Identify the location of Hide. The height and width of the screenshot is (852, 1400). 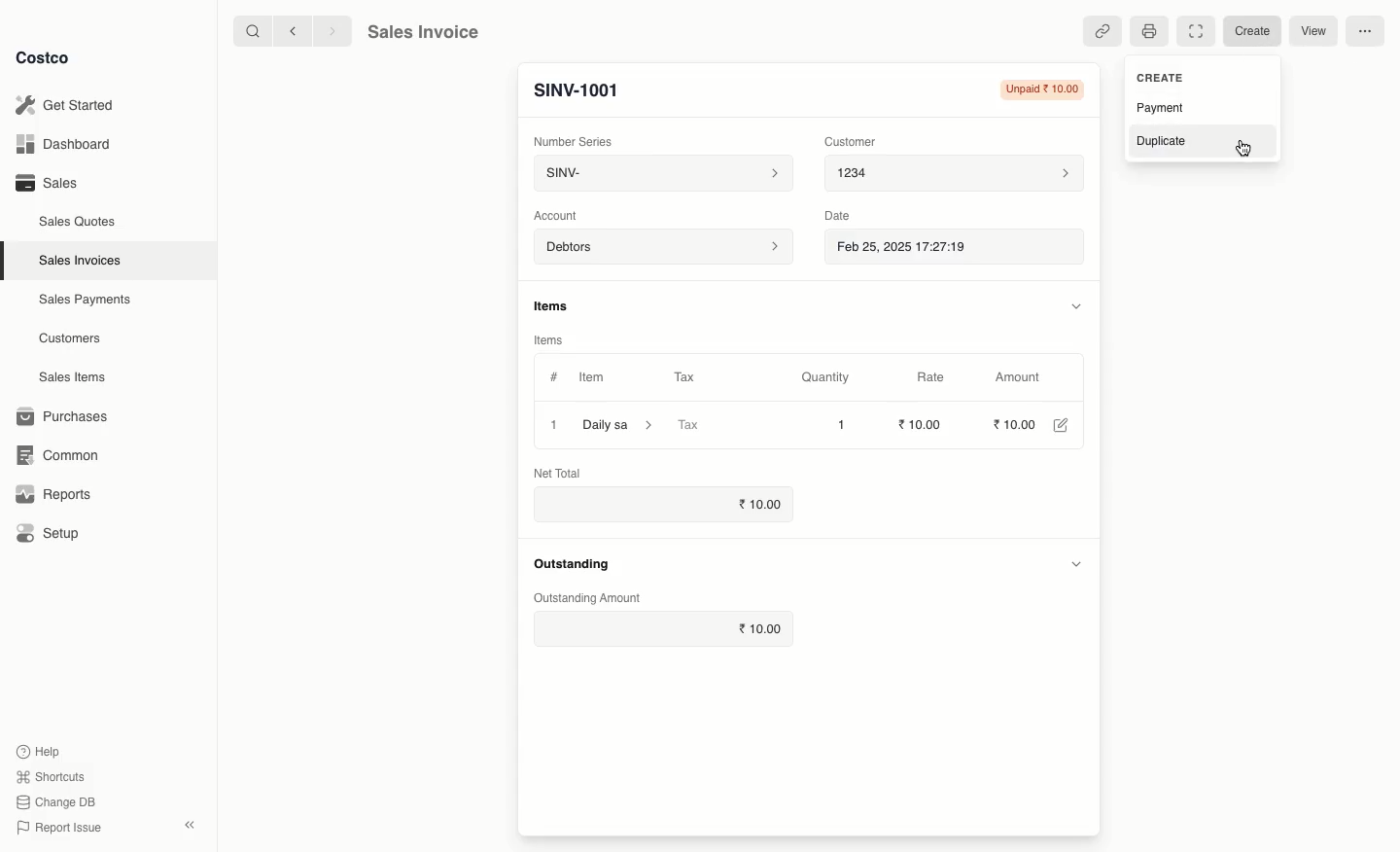
(1074, 305).